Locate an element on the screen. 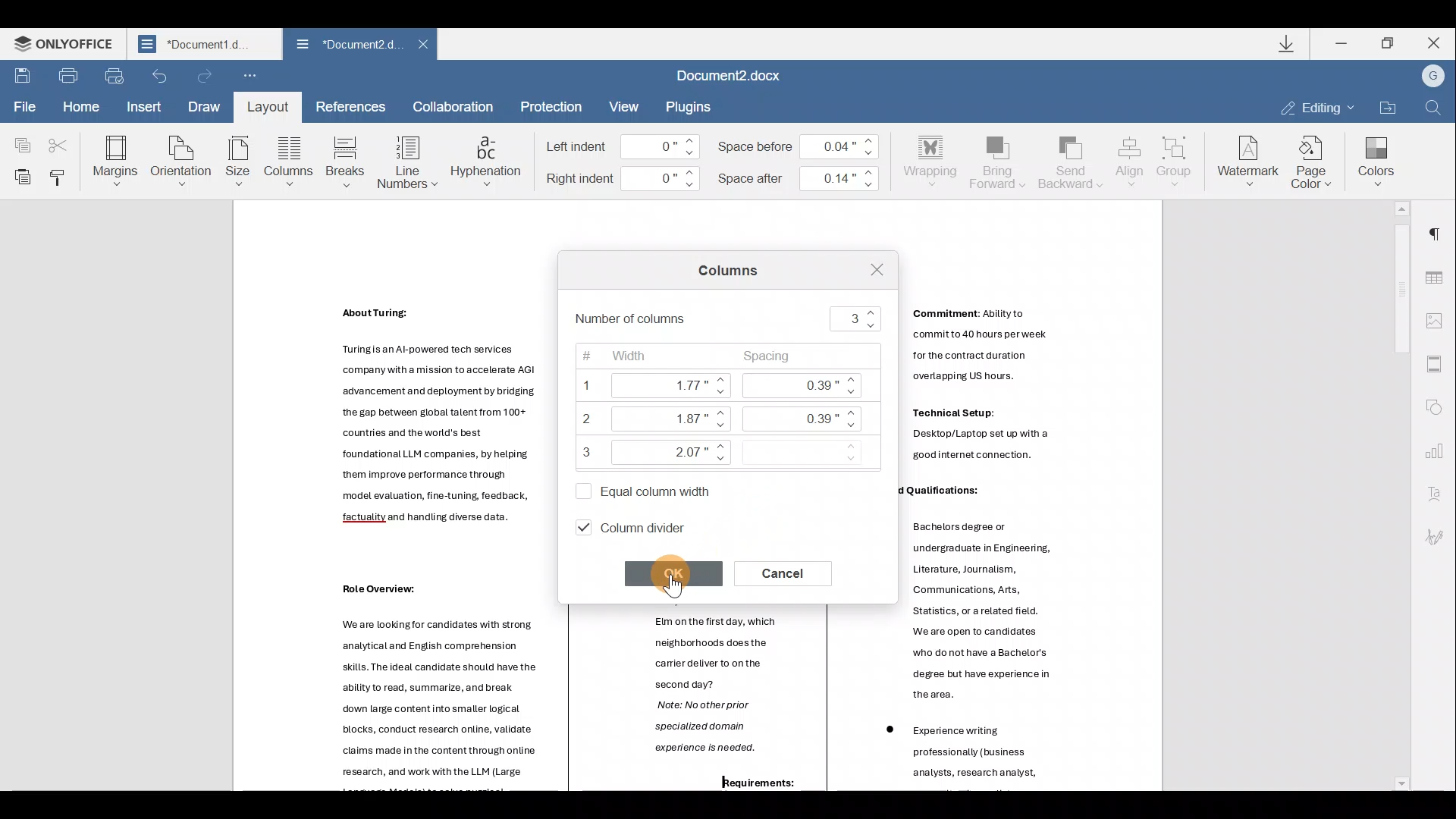 This screenshot has height=819, width=1456. Page color is located at coordinates (1315, 159).